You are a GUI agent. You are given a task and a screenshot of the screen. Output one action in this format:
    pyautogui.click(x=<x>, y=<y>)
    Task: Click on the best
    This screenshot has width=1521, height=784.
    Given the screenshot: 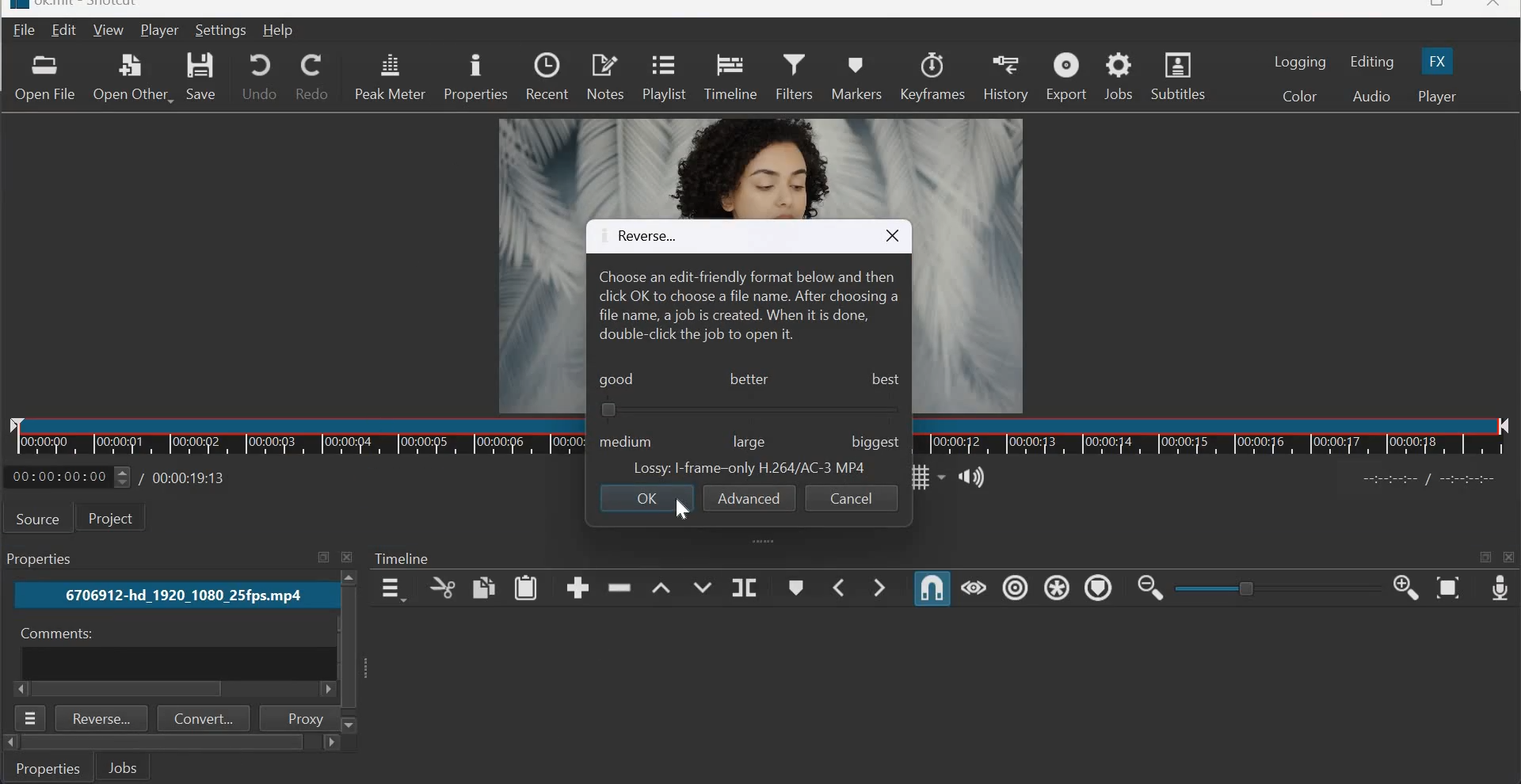 What is the action you would take?
    pyautogui.click(x=886, y=382)
    